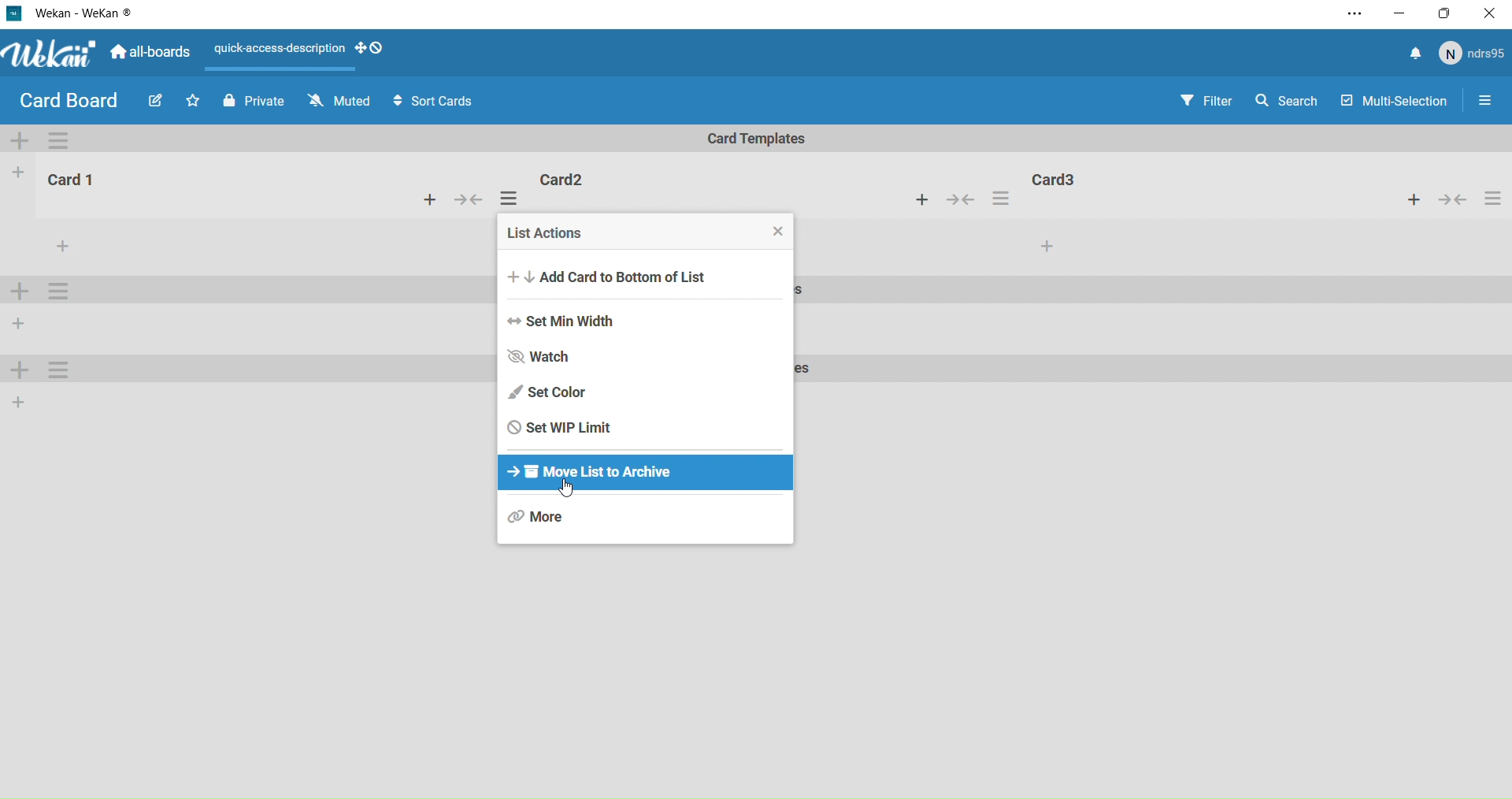 The image size is (1512, 799). I want to click on add, so click(428, 200).